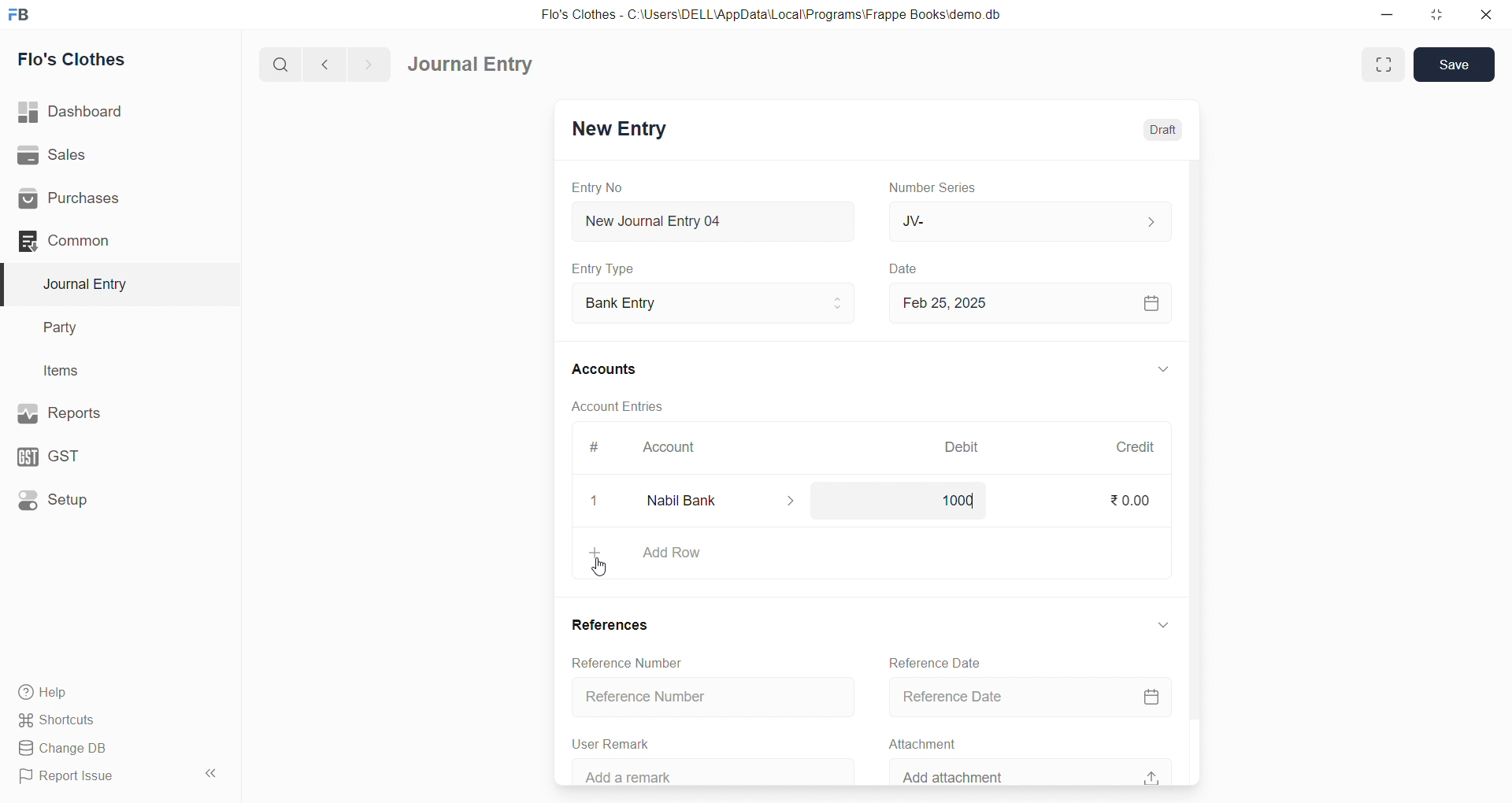  Describe the element at coordinates (616, 405) in the screenshot. I see `Account Entries` at that location.